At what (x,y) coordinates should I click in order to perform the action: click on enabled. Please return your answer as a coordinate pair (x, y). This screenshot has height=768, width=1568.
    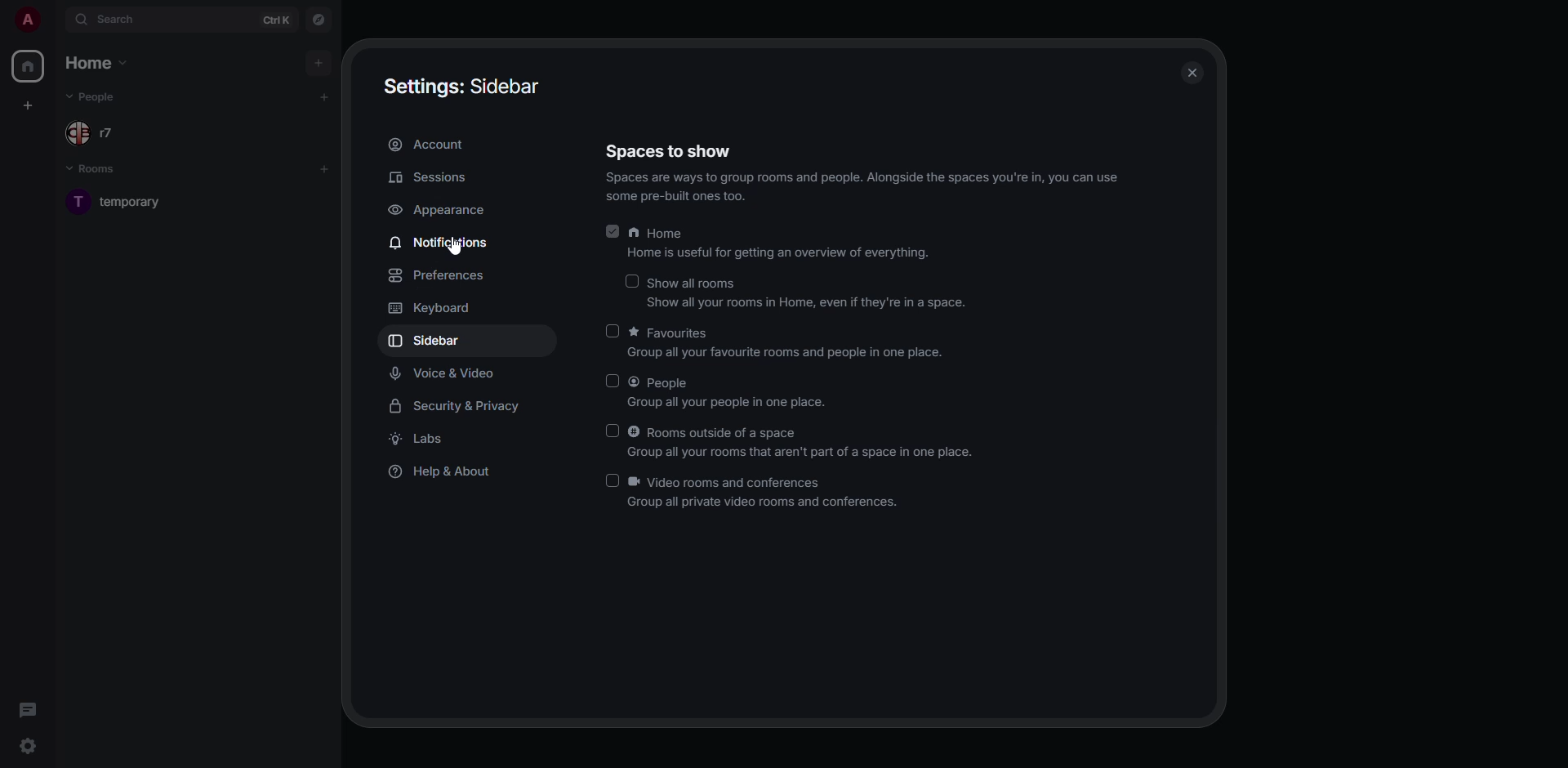
    Looking at the image, I should click on (613, 230).